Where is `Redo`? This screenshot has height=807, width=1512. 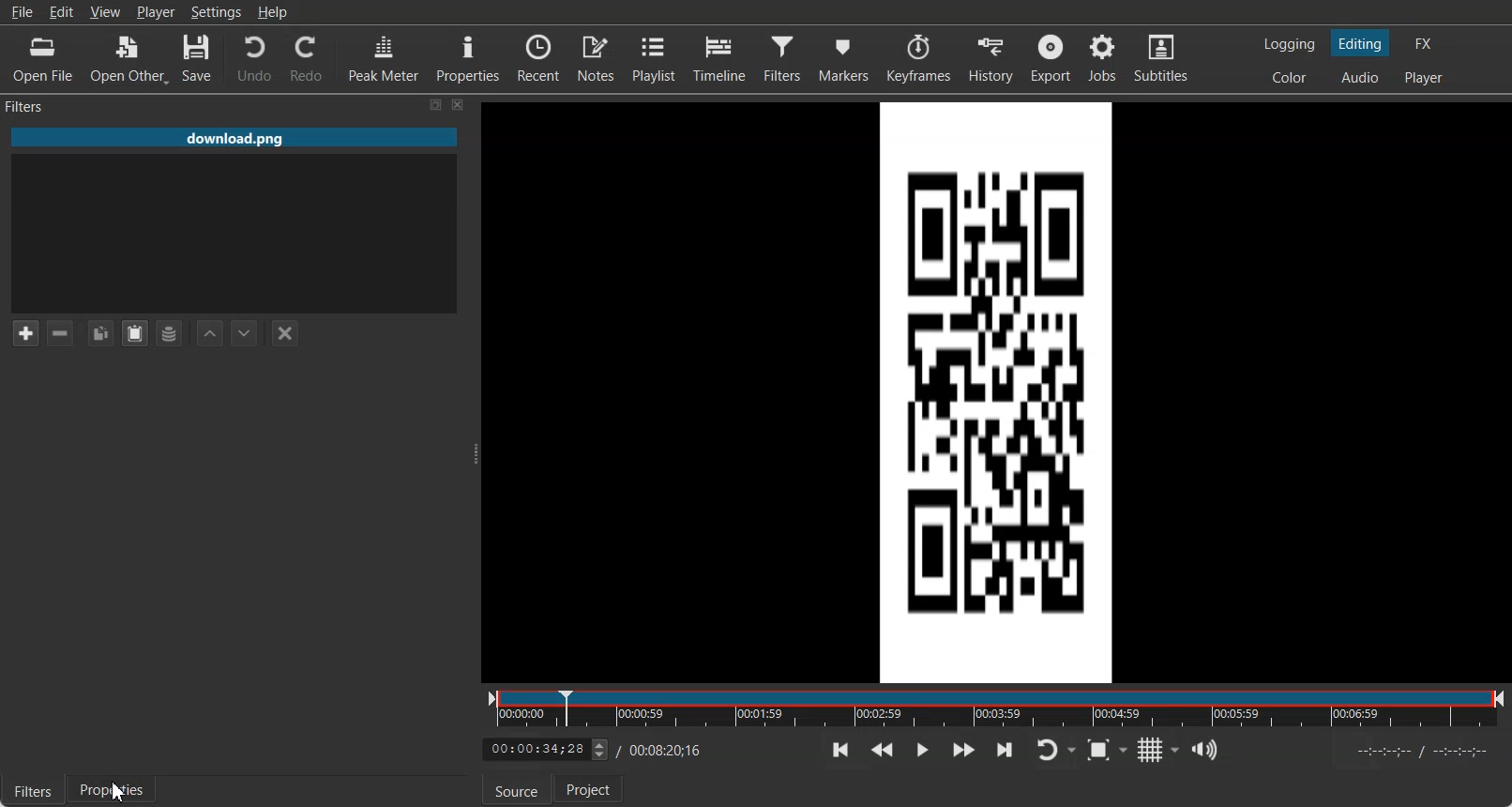 Redo is located at coordinates (307, 58).